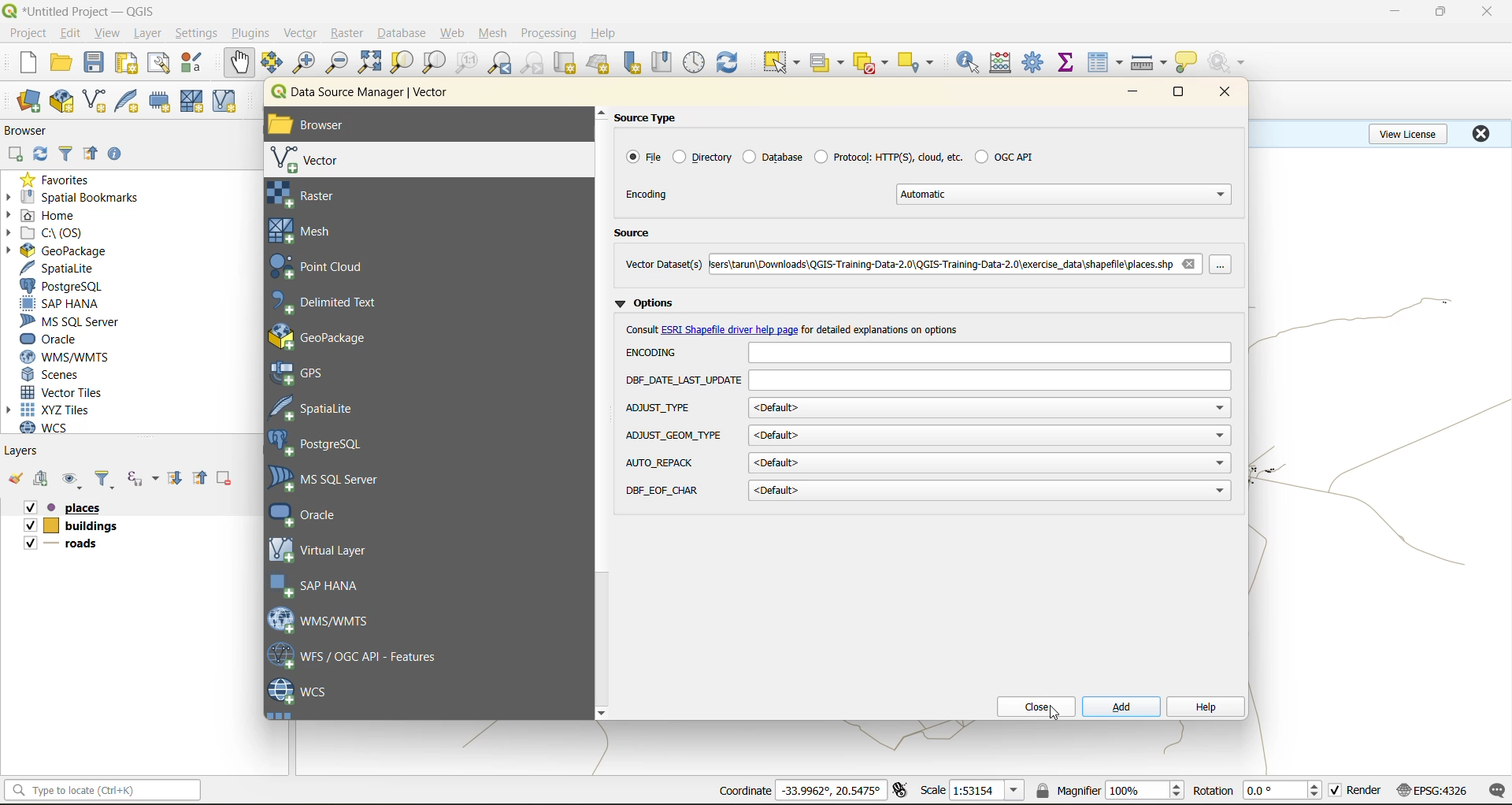 Image resolution: width=1512 pixels, height=805 pixels. Describe the element at coordinates (1220, 93) in the screenshot. I see `close` at that location.